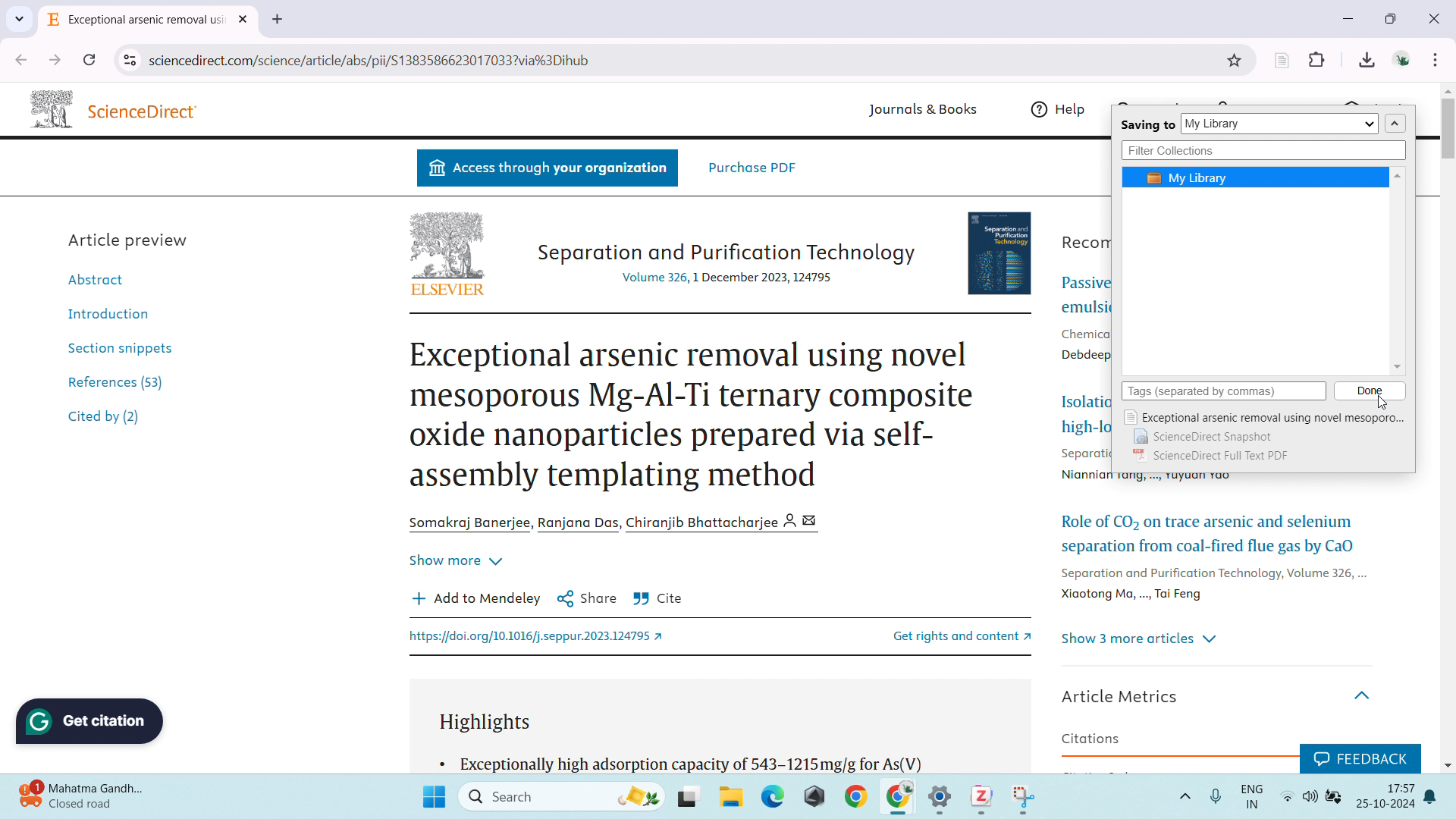 The image size is (1456, 819). Describe the element at coordinates (89, 60) in the screenshot. I see `relload this page` at that location.